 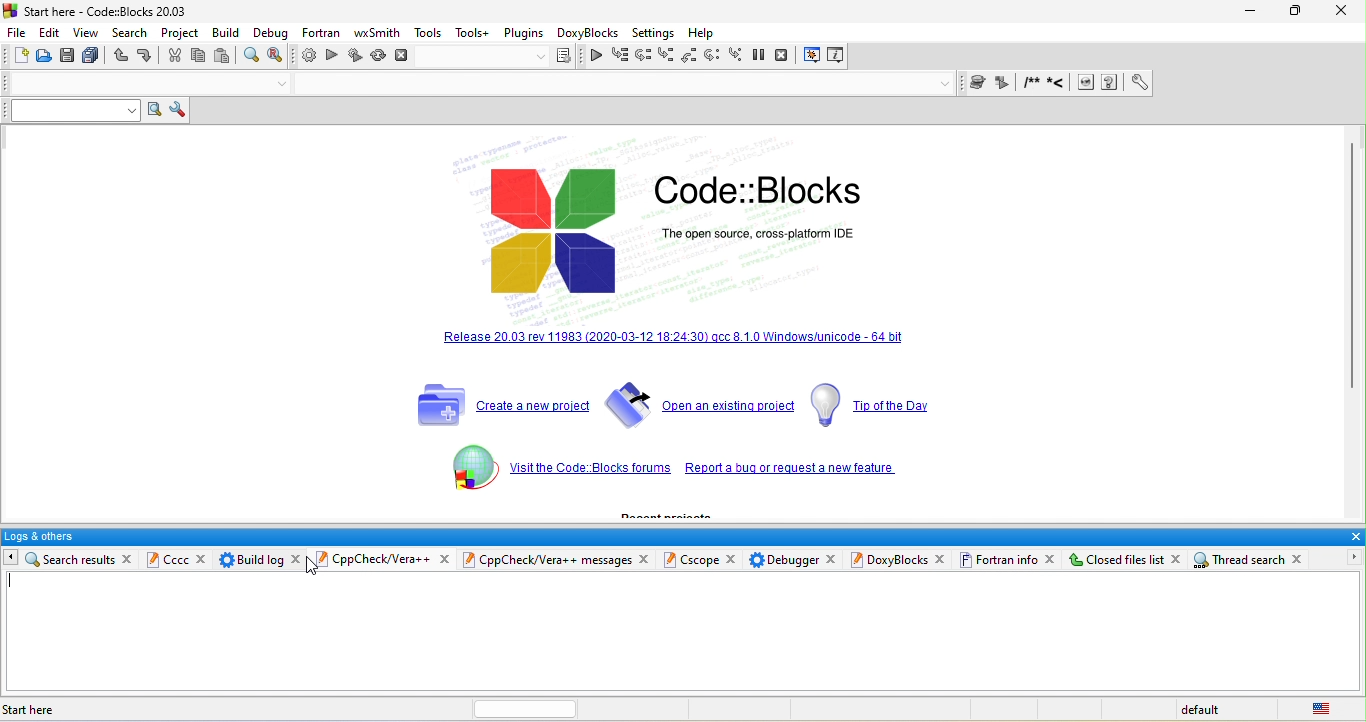 What do you see at coordinates (1305, 557) in the screenshot?
I see `close` at bounding box center [1305, 557].